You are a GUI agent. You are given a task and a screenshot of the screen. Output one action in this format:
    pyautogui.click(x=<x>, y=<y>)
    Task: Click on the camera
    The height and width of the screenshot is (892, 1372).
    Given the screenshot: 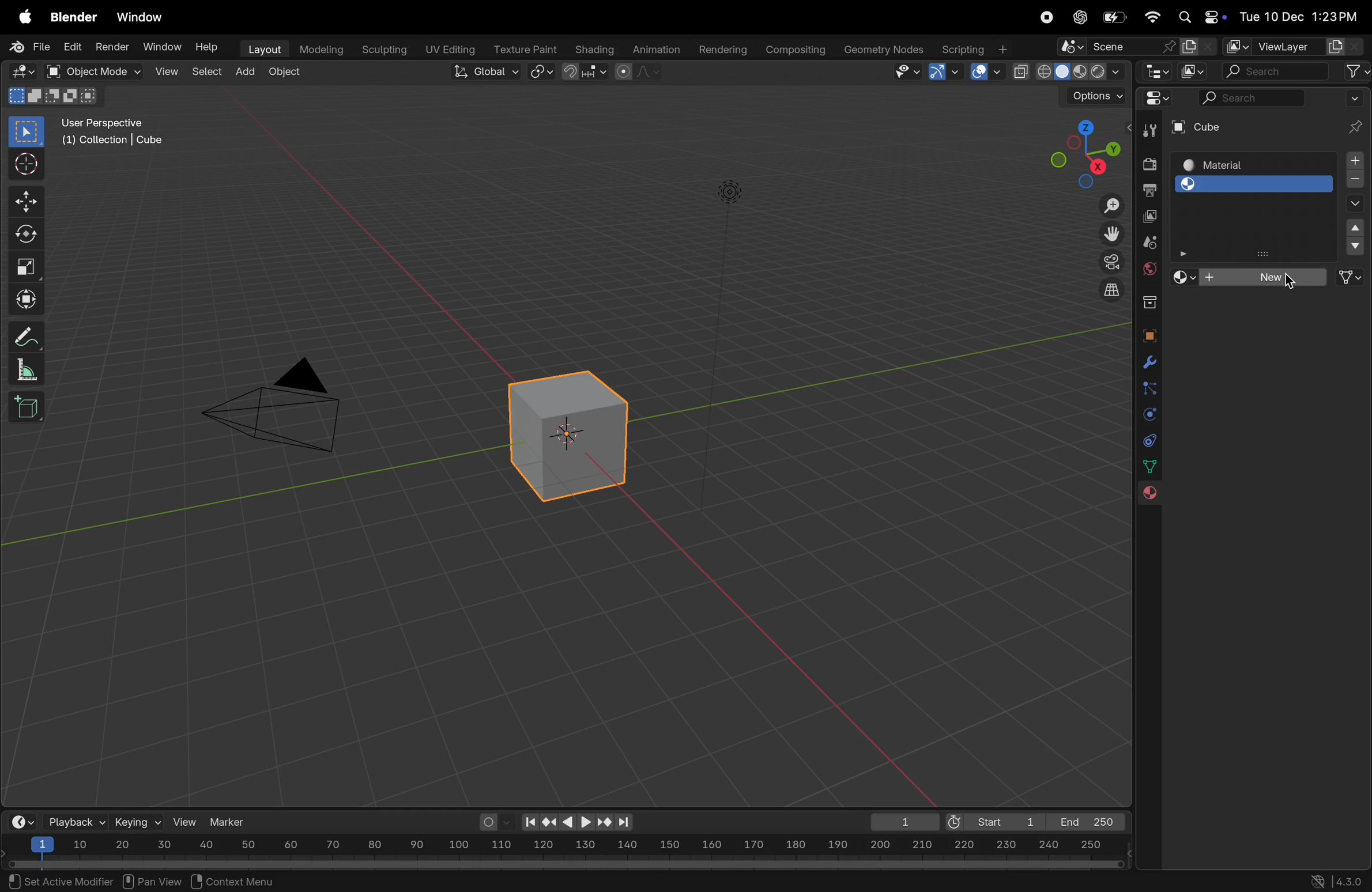 What is the action you would take?
    pyautogui.click(x=1109, y=262)
    